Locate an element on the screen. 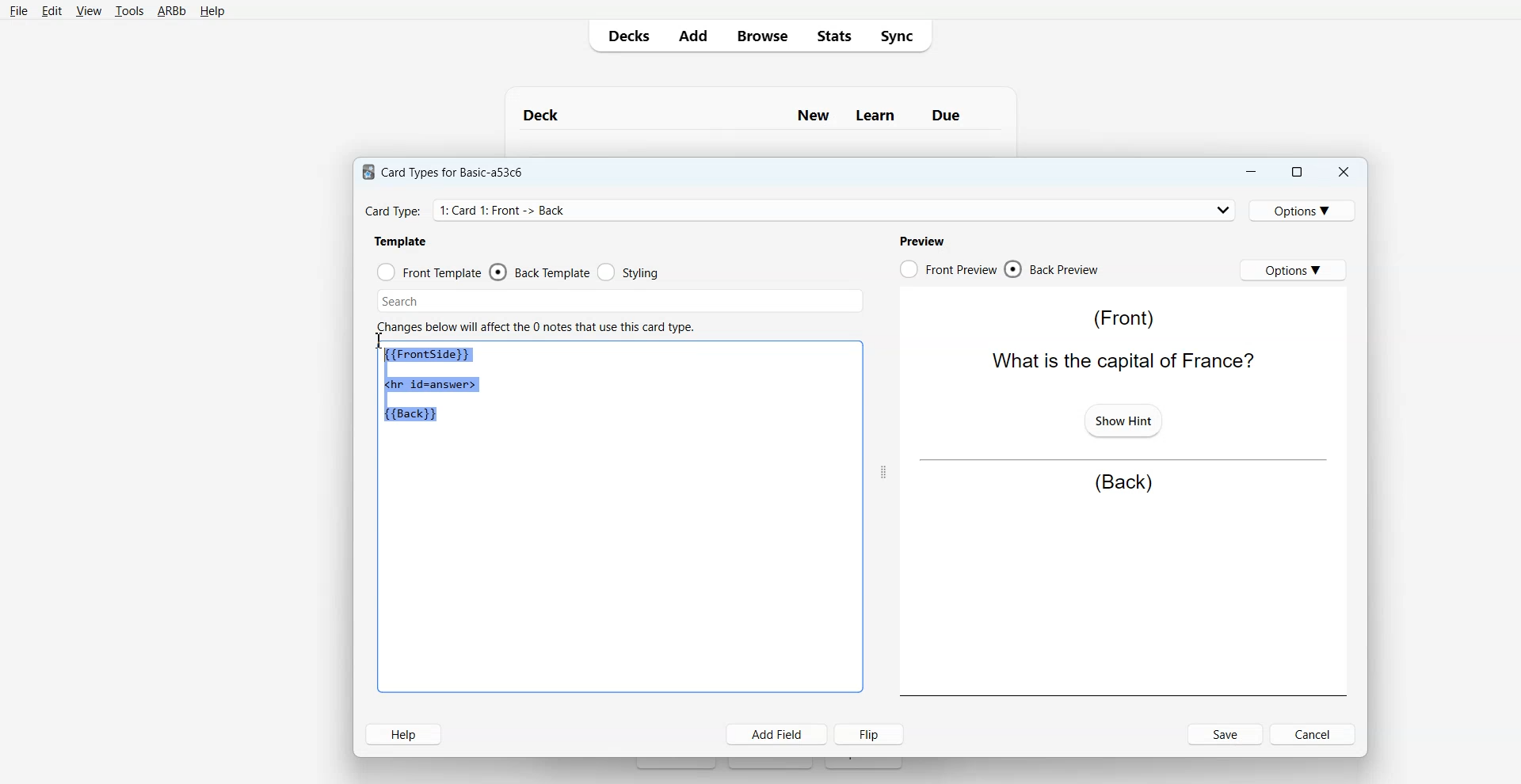  Front Template is located at coordinates (429, 272).